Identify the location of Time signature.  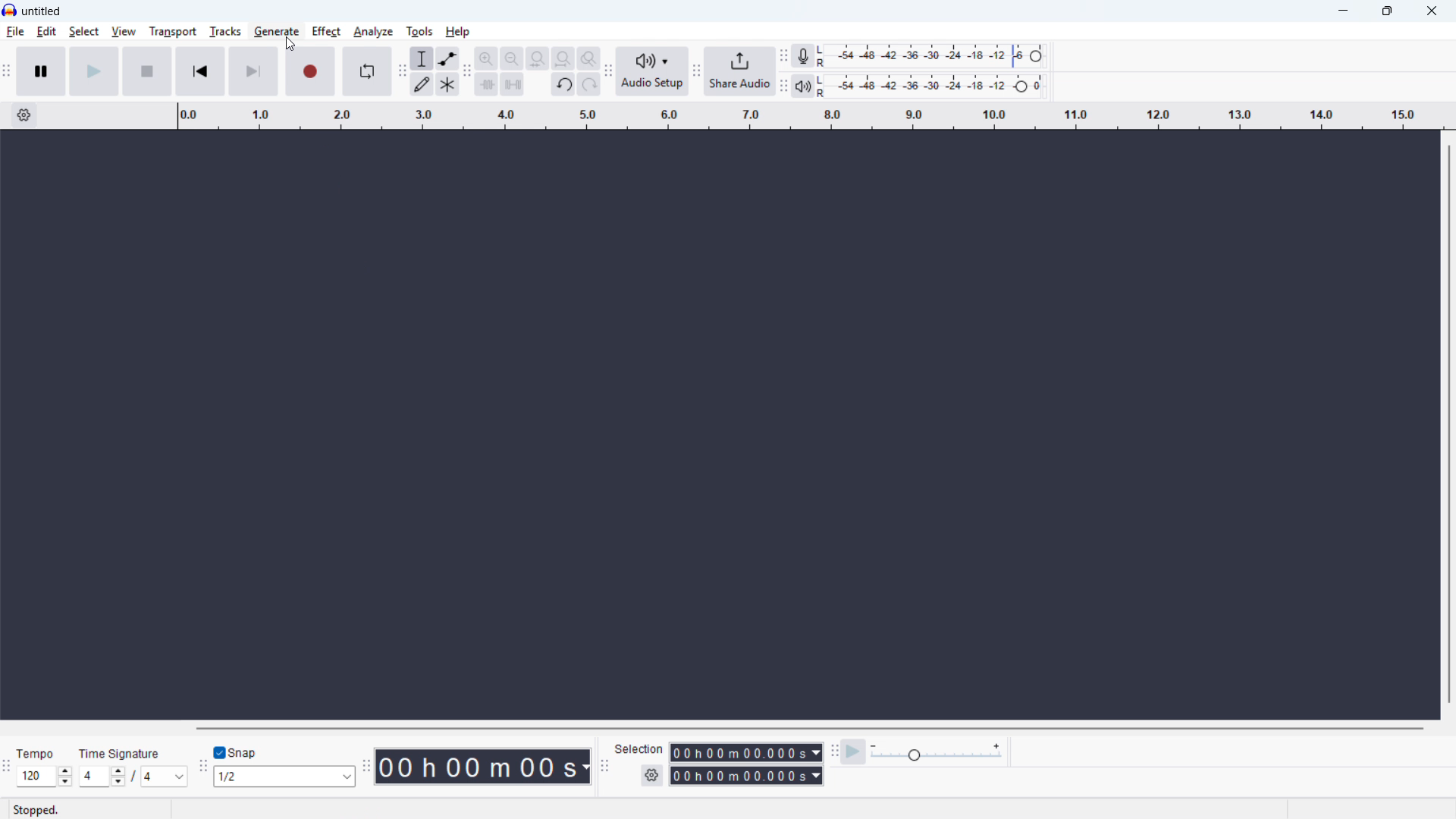
(121, 753).